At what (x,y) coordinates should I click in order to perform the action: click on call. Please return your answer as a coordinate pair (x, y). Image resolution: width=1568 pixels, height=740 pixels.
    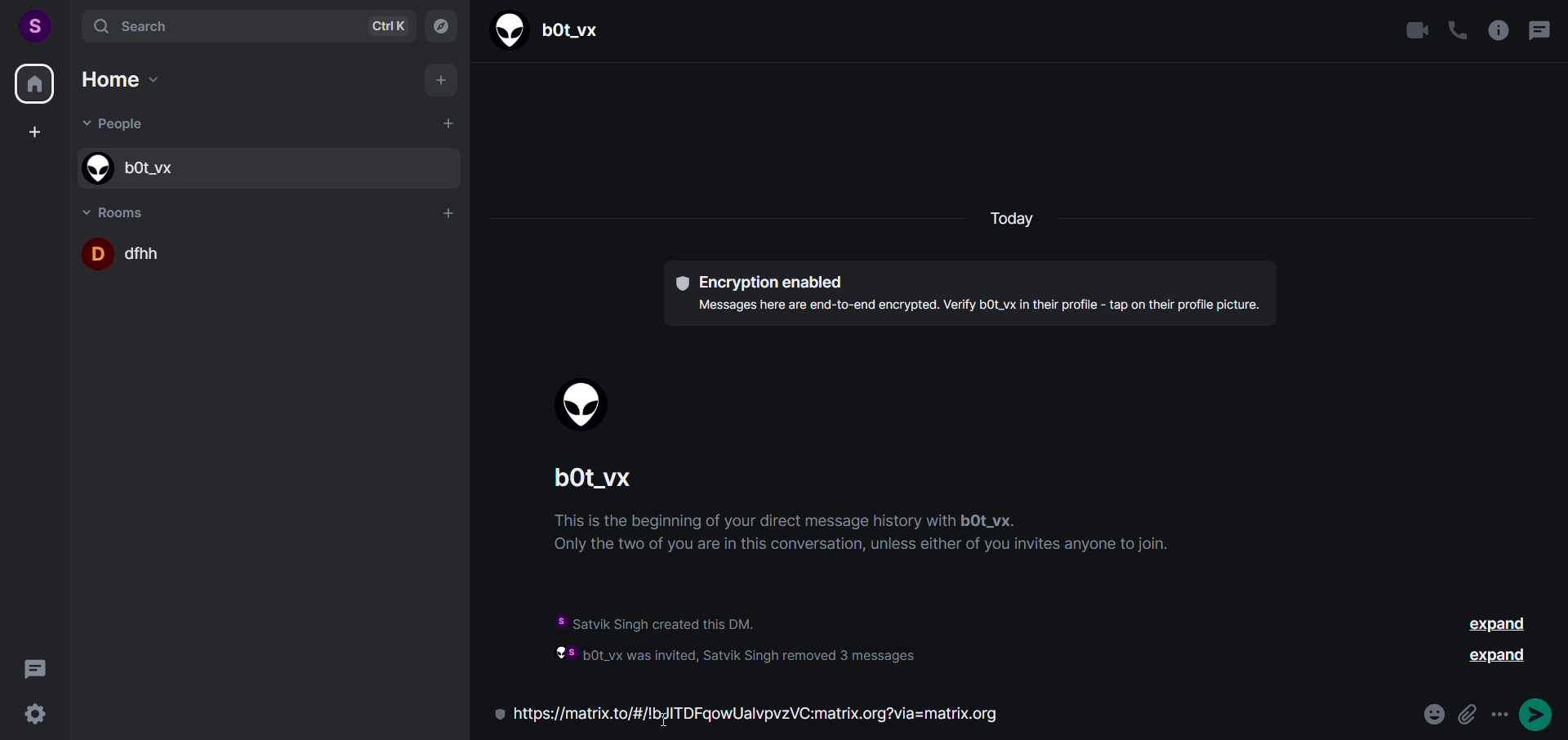
    Looking at the image, I should click on (1456, 32).